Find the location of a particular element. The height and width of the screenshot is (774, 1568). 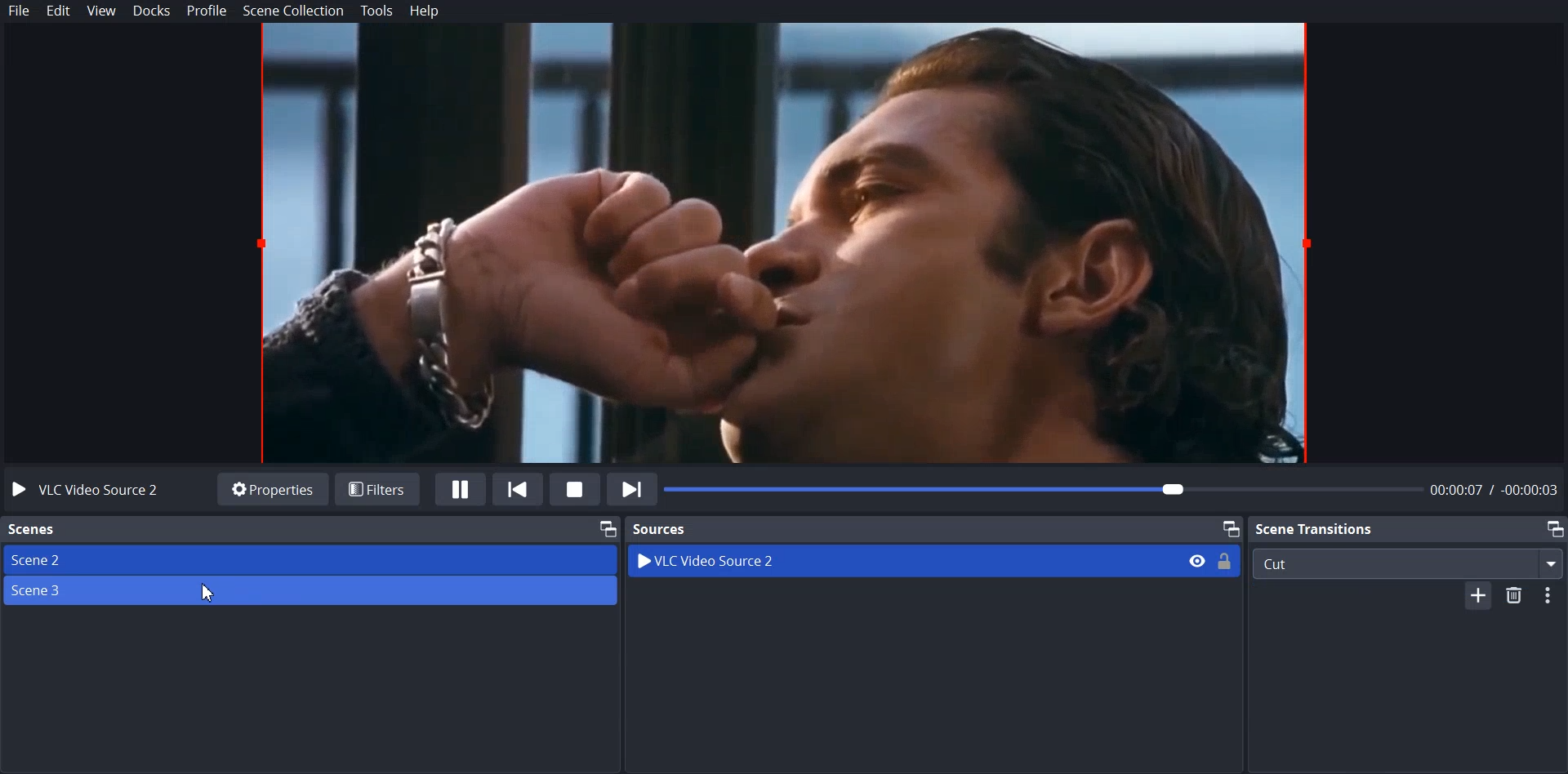

Cut is located at coordinates (1408, 563).